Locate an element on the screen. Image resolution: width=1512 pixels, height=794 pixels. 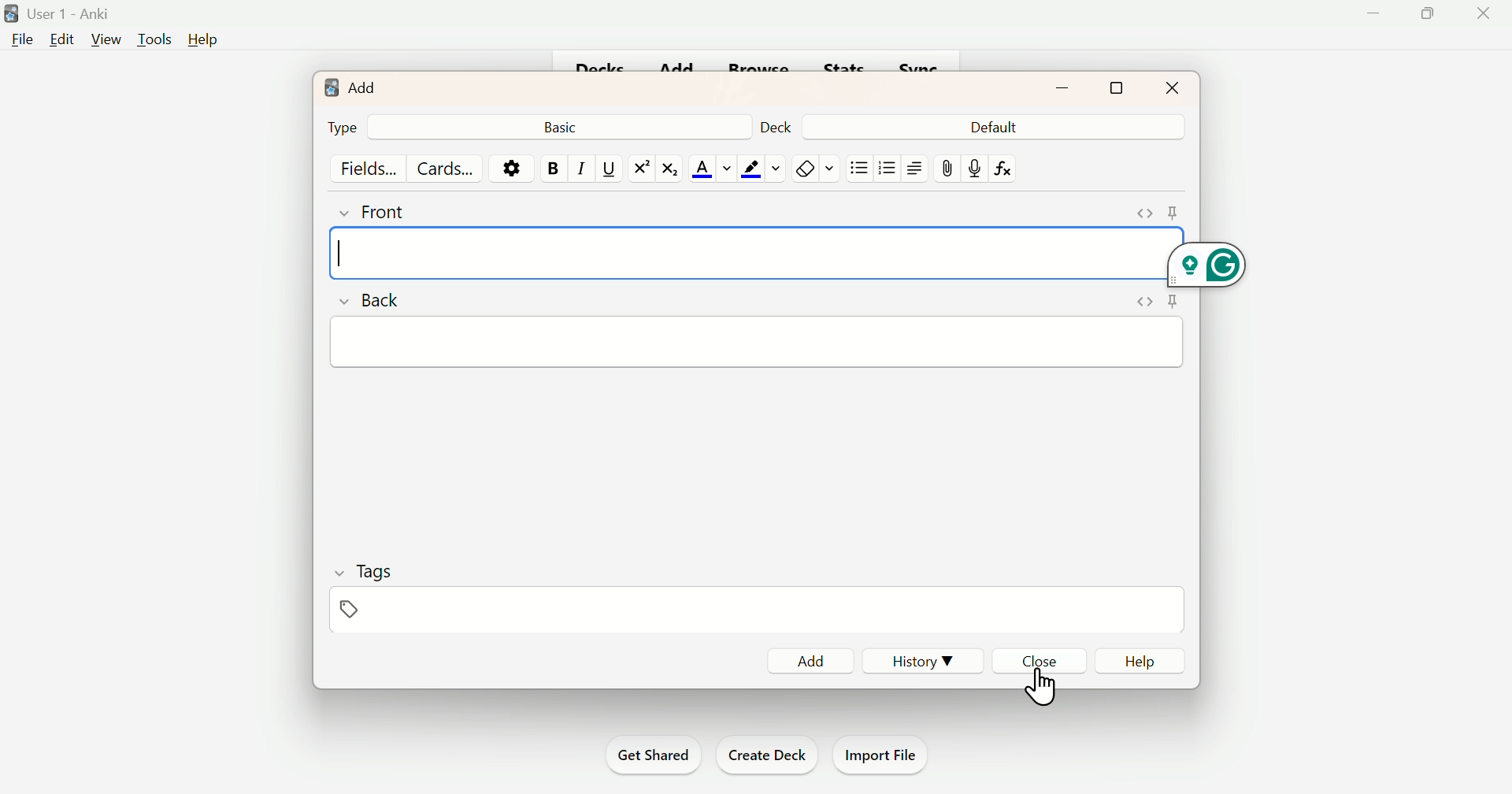
minimize is located at coordinates (1062, 88).